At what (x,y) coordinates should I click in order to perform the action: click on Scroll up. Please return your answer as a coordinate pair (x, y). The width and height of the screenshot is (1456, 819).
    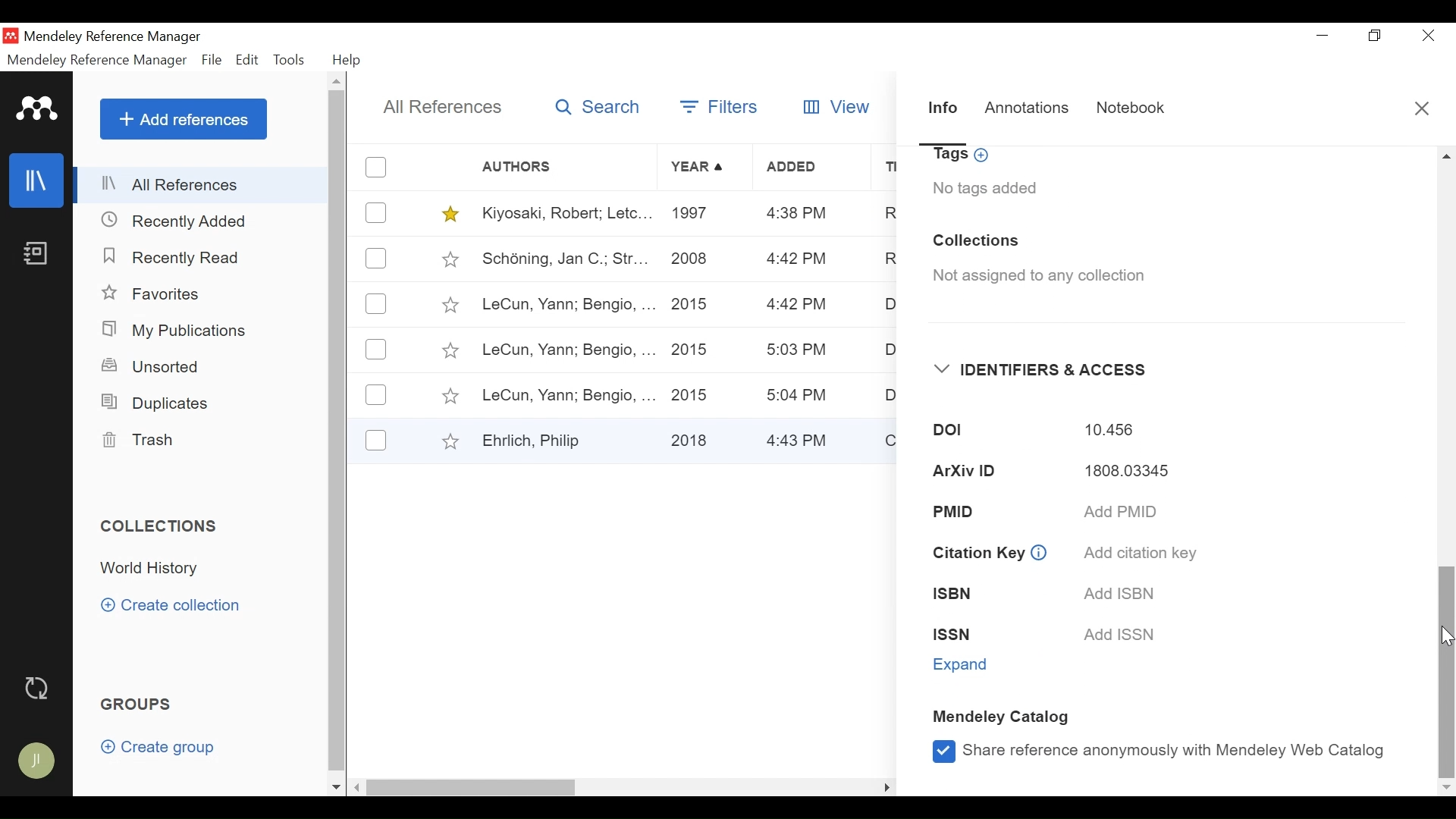
    Looking at the image, I should click on (337, 81).